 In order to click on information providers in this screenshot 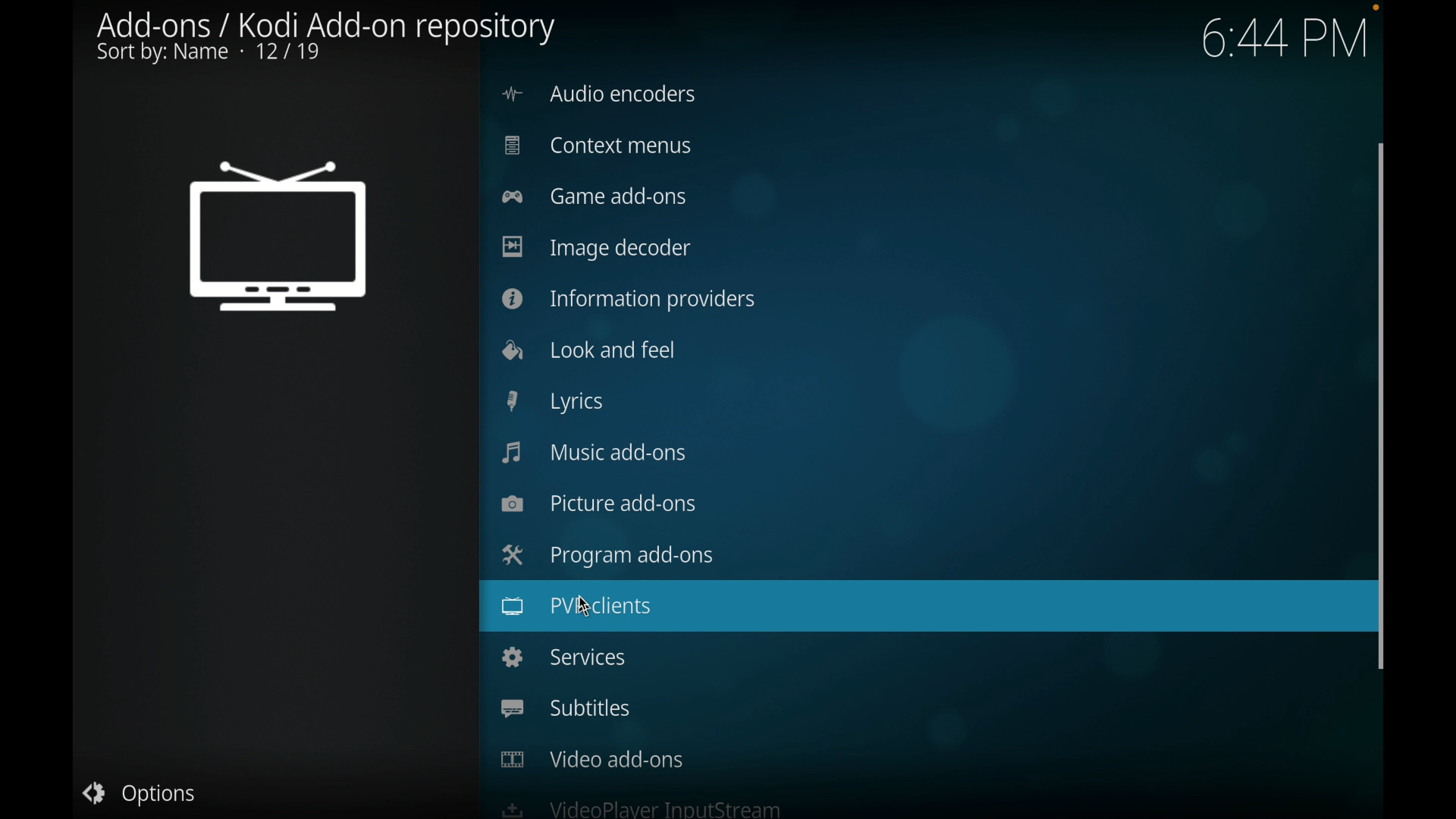, I will do `click(629, 300)`.